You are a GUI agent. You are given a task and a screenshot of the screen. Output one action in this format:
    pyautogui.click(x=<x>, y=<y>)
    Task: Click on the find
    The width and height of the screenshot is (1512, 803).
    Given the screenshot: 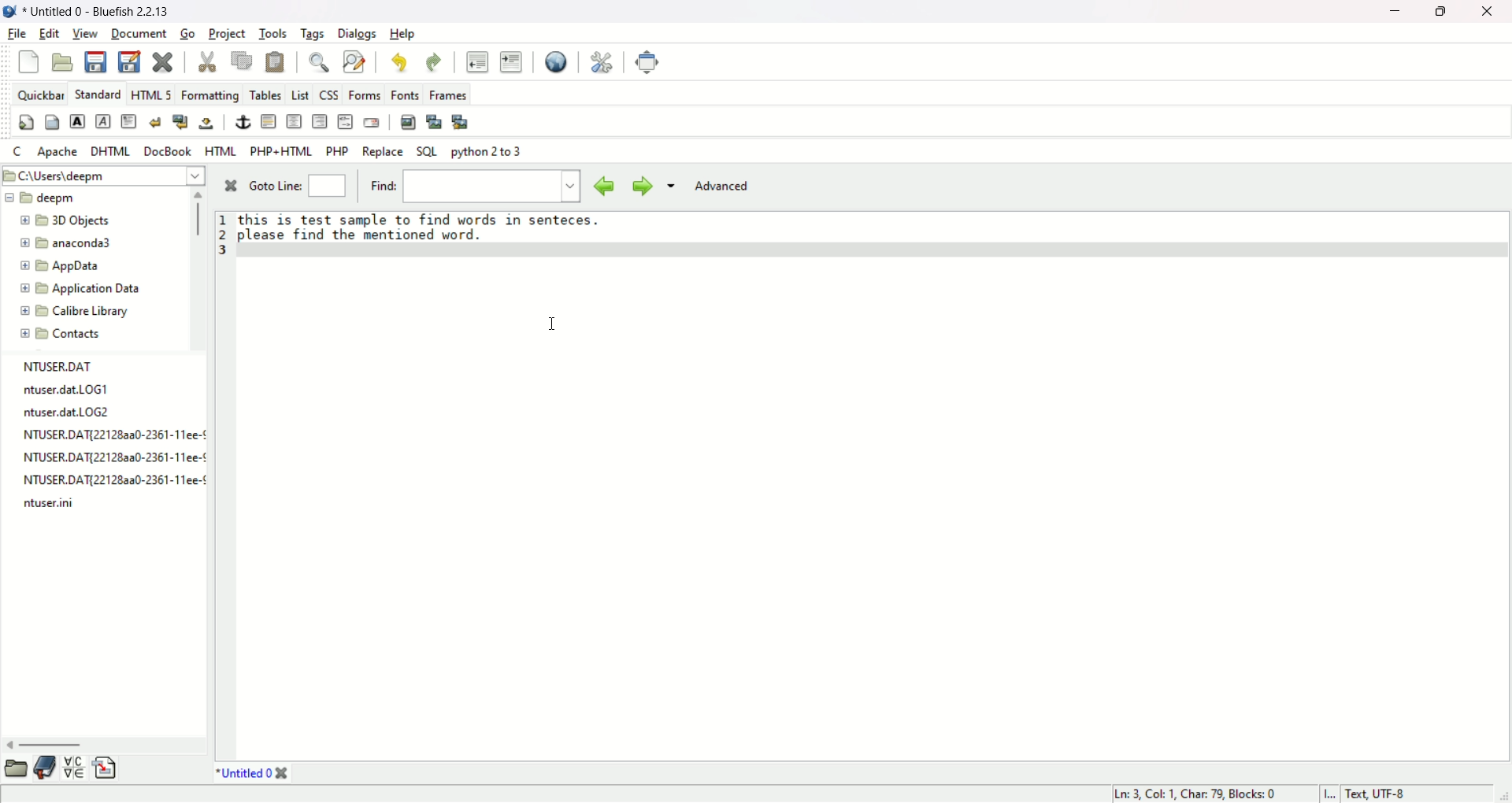 What is the action you would take?
    pyautogui.click(x=492, y=187)
    